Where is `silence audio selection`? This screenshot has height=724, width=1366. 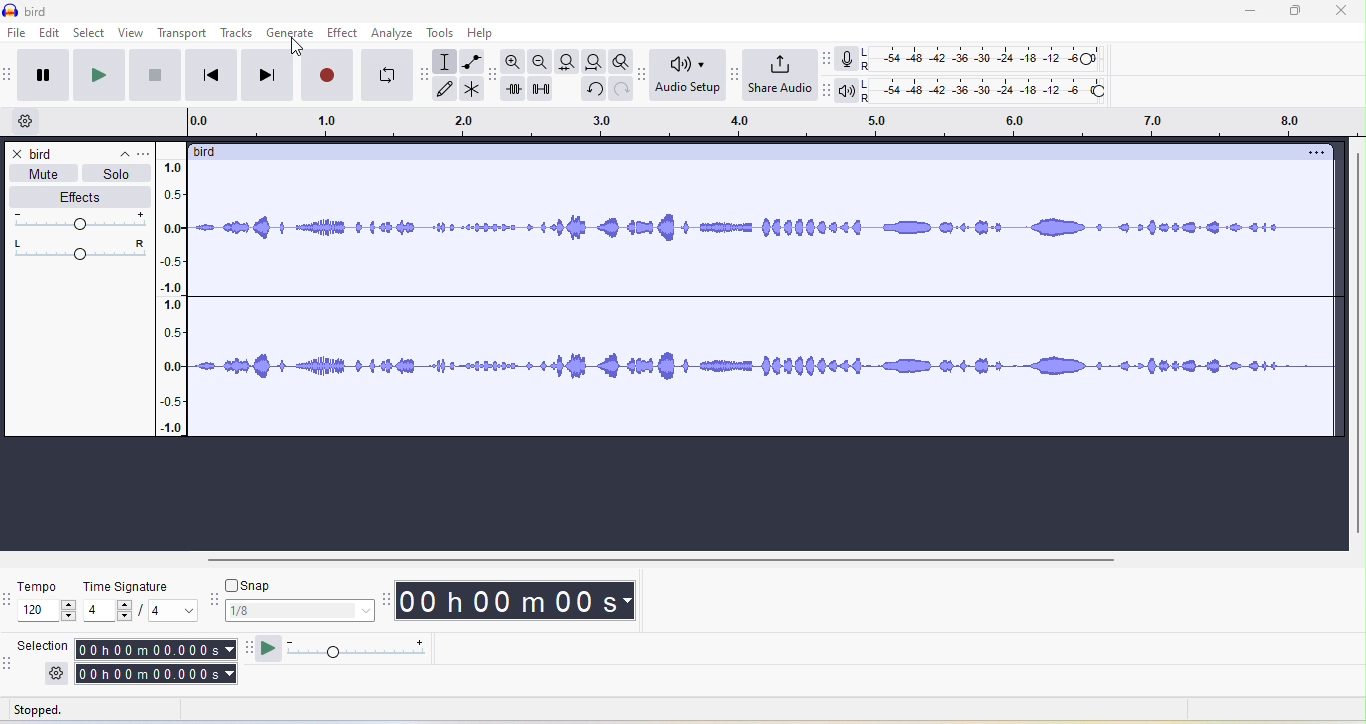 silence audio selection is located at coordinates (543, 90).